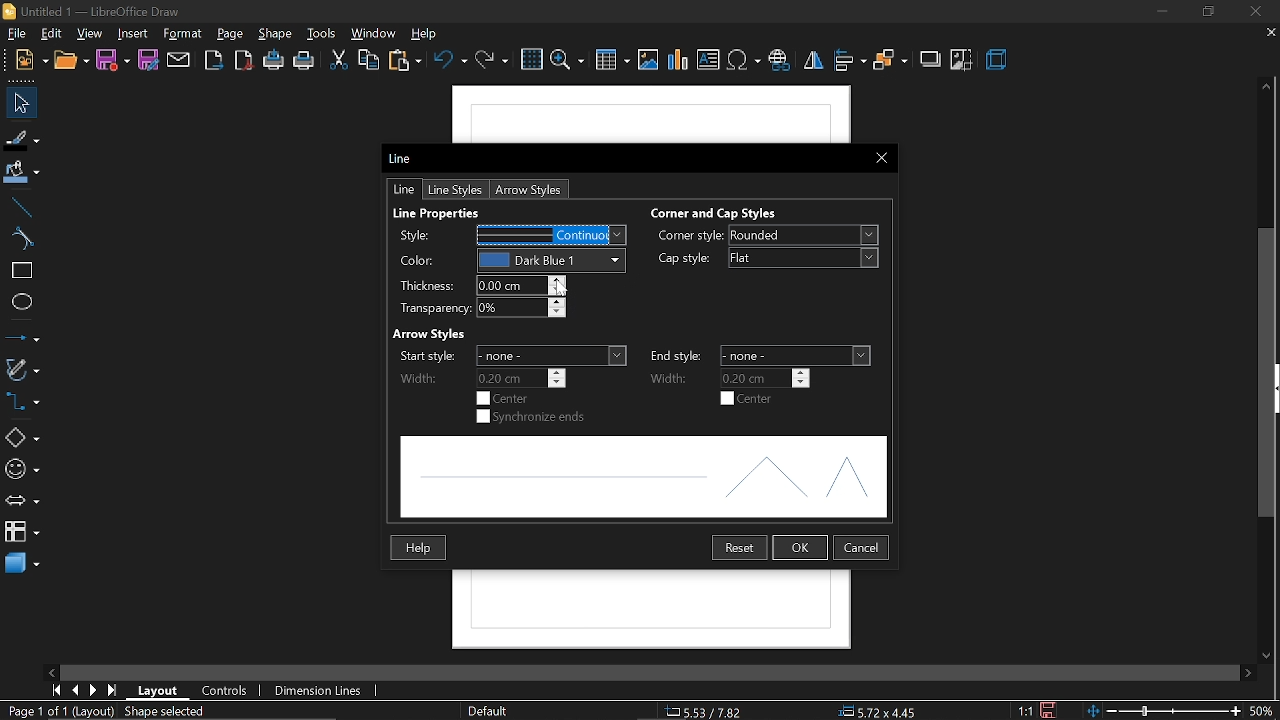  What do you see at coordinates (178, 61) in the screenshot?
I see `attach` at bounding box center [178, 61].